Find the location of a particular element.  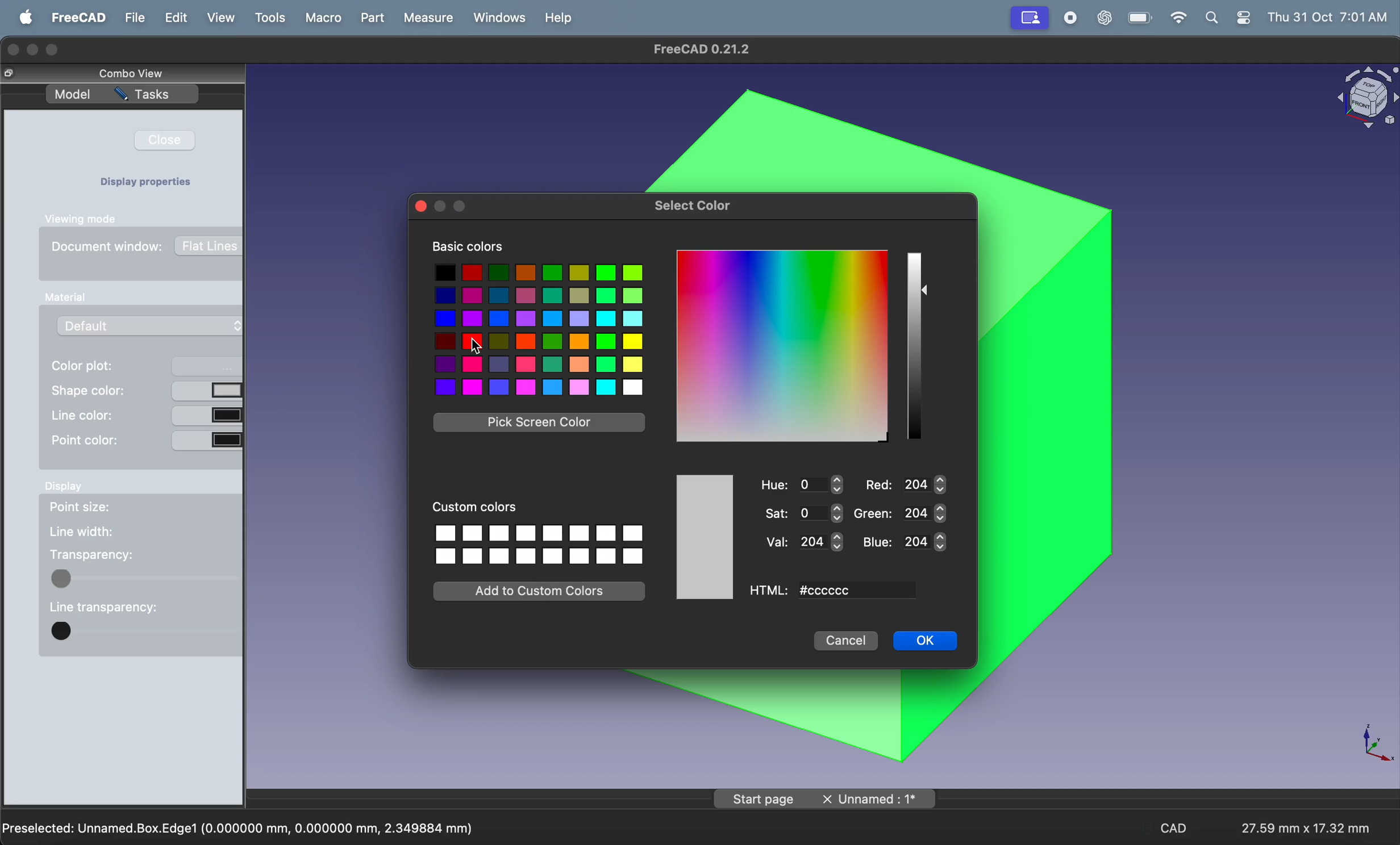

cursor is located at coordinates (474, 343).